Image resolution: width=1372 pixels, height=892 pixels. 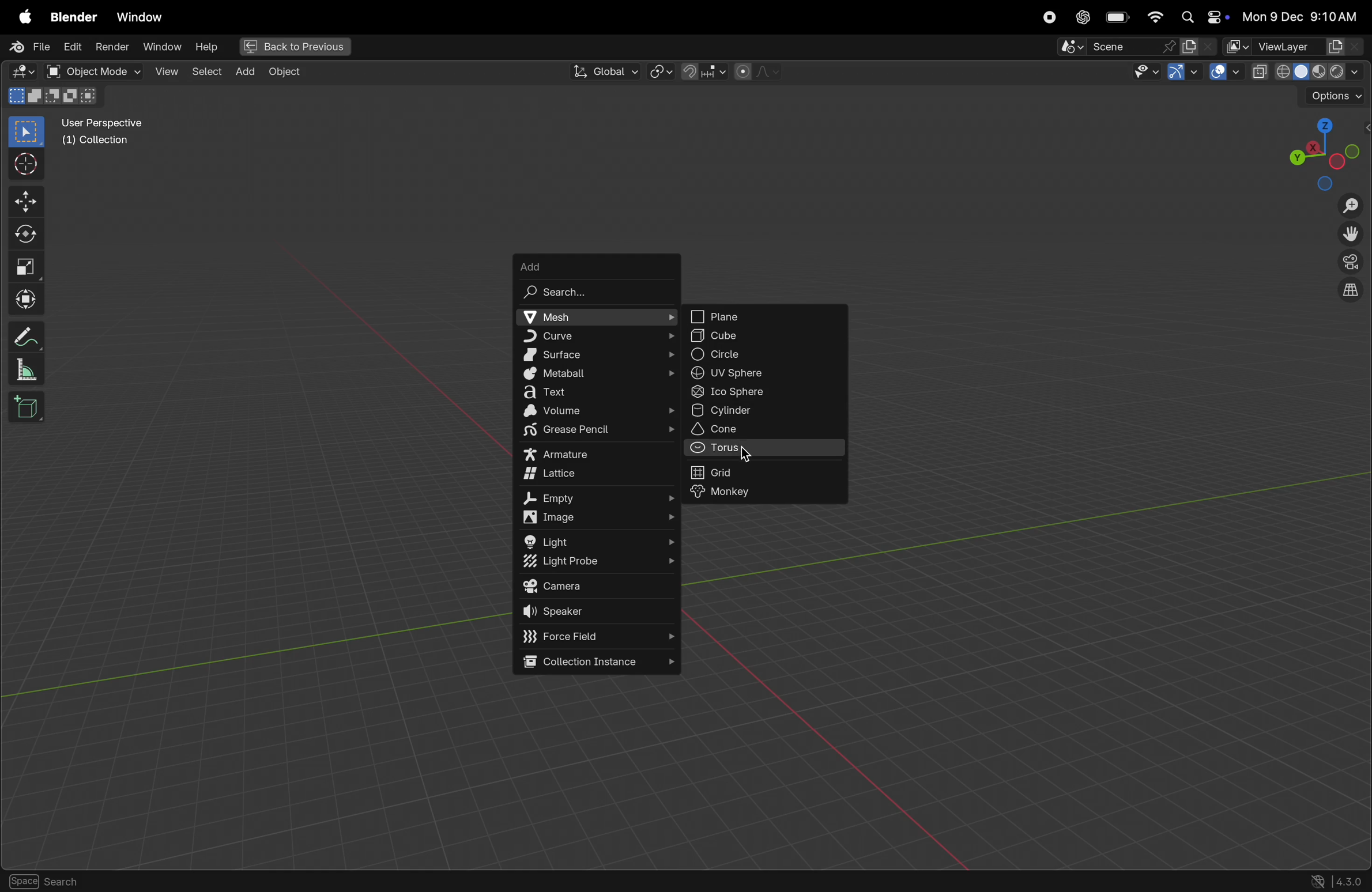 I want to click on text, so click(x=599, y=393).